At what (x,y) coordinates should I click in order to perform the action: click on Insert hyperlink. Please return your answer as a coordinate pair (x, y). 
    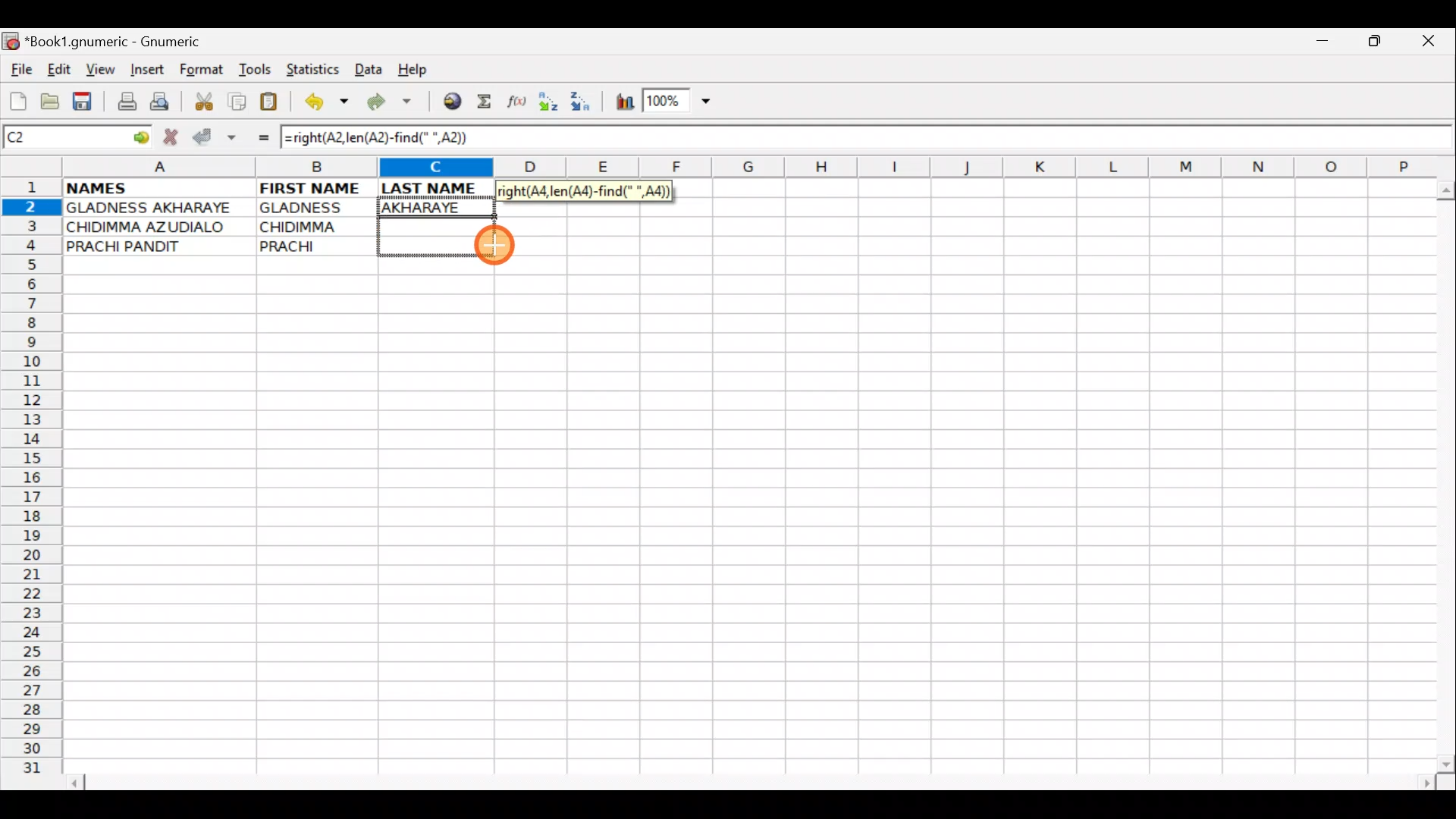
    Looking at the image, I should click on (450, 102).